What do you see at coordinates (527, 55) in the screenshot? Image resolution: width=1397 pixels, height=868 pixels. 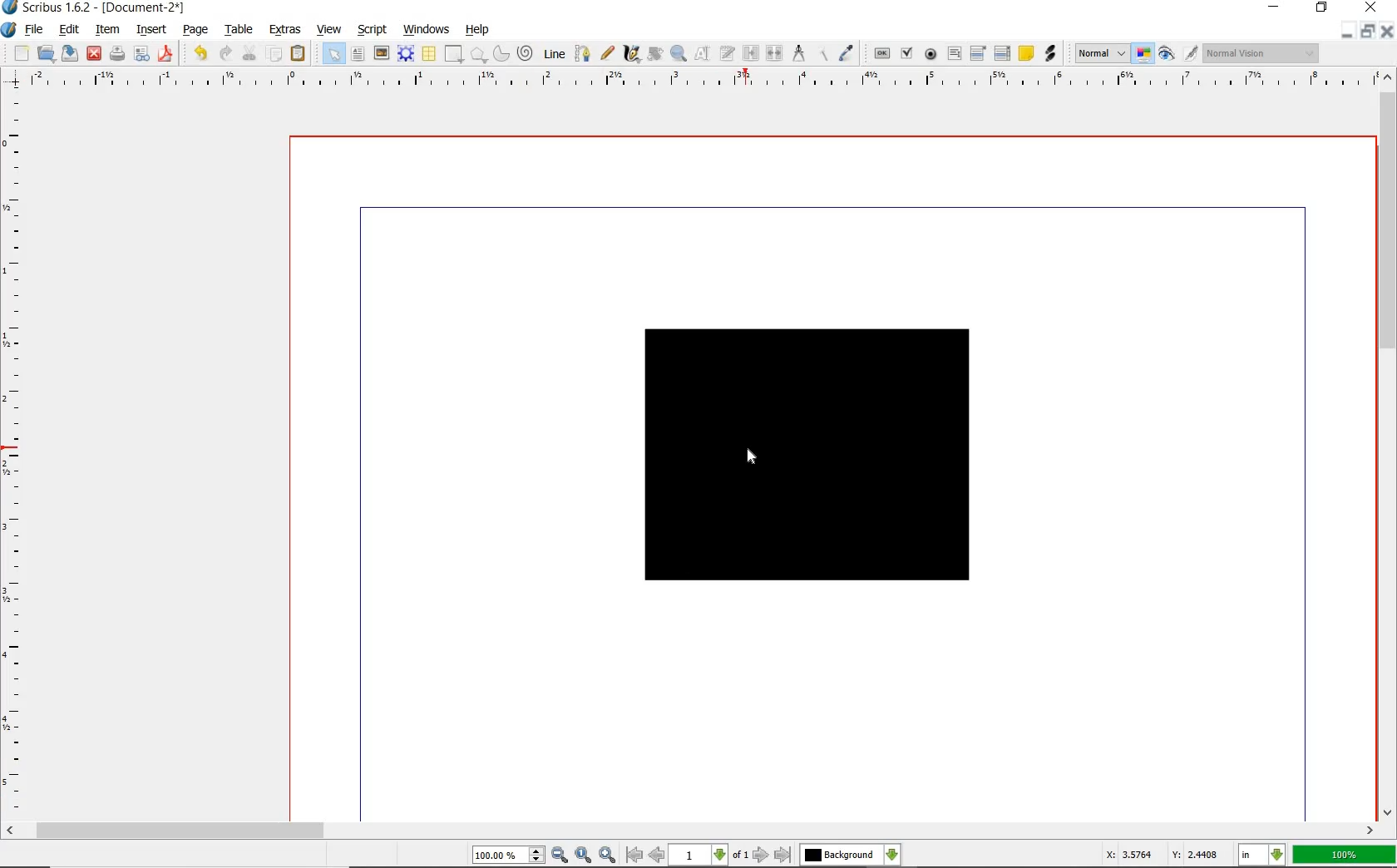 I see `spiral` at bounding box center [527, 55].